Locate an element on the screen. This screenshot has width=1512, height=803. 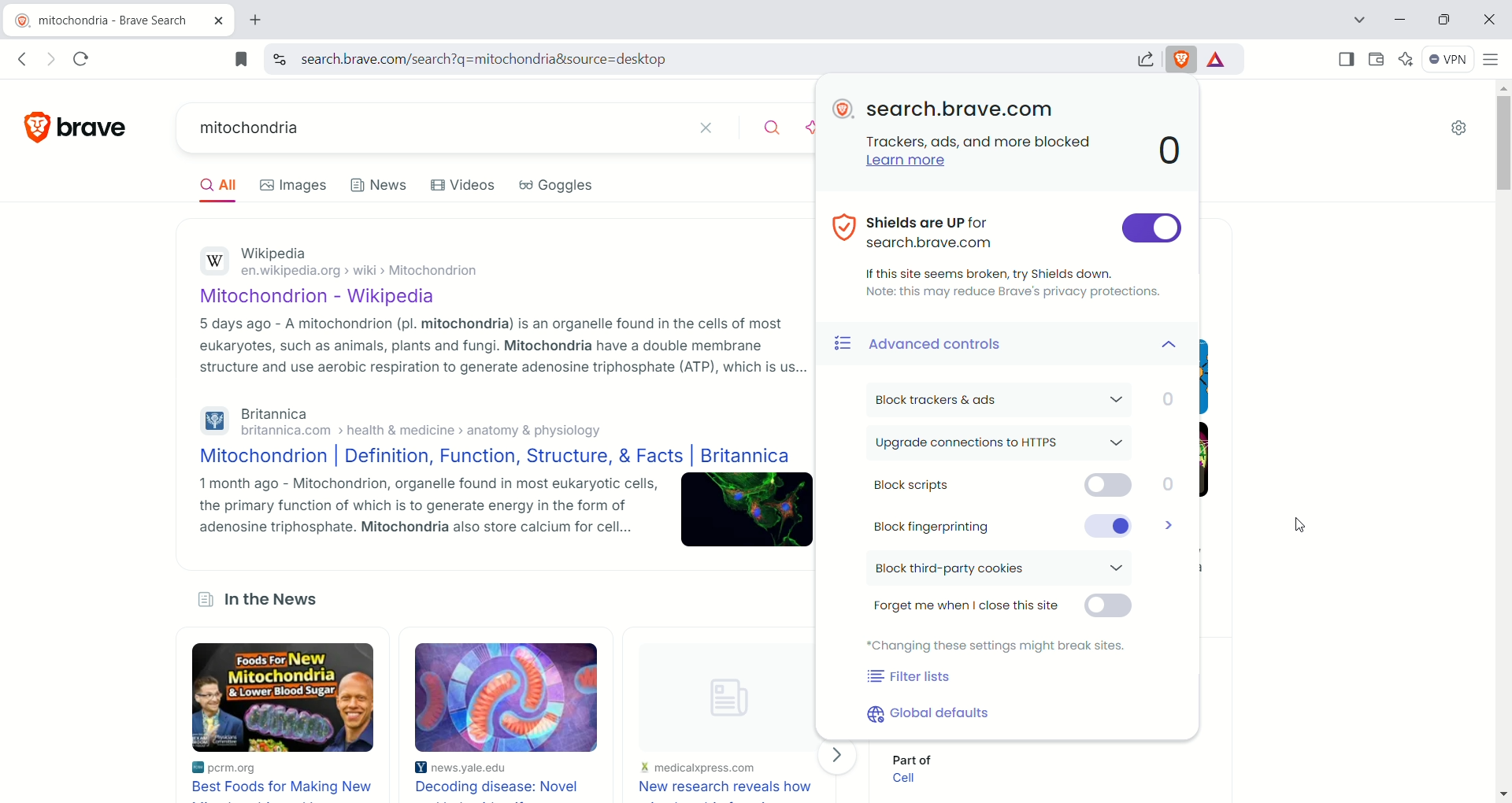
Image is located at coordinates (749, 510).